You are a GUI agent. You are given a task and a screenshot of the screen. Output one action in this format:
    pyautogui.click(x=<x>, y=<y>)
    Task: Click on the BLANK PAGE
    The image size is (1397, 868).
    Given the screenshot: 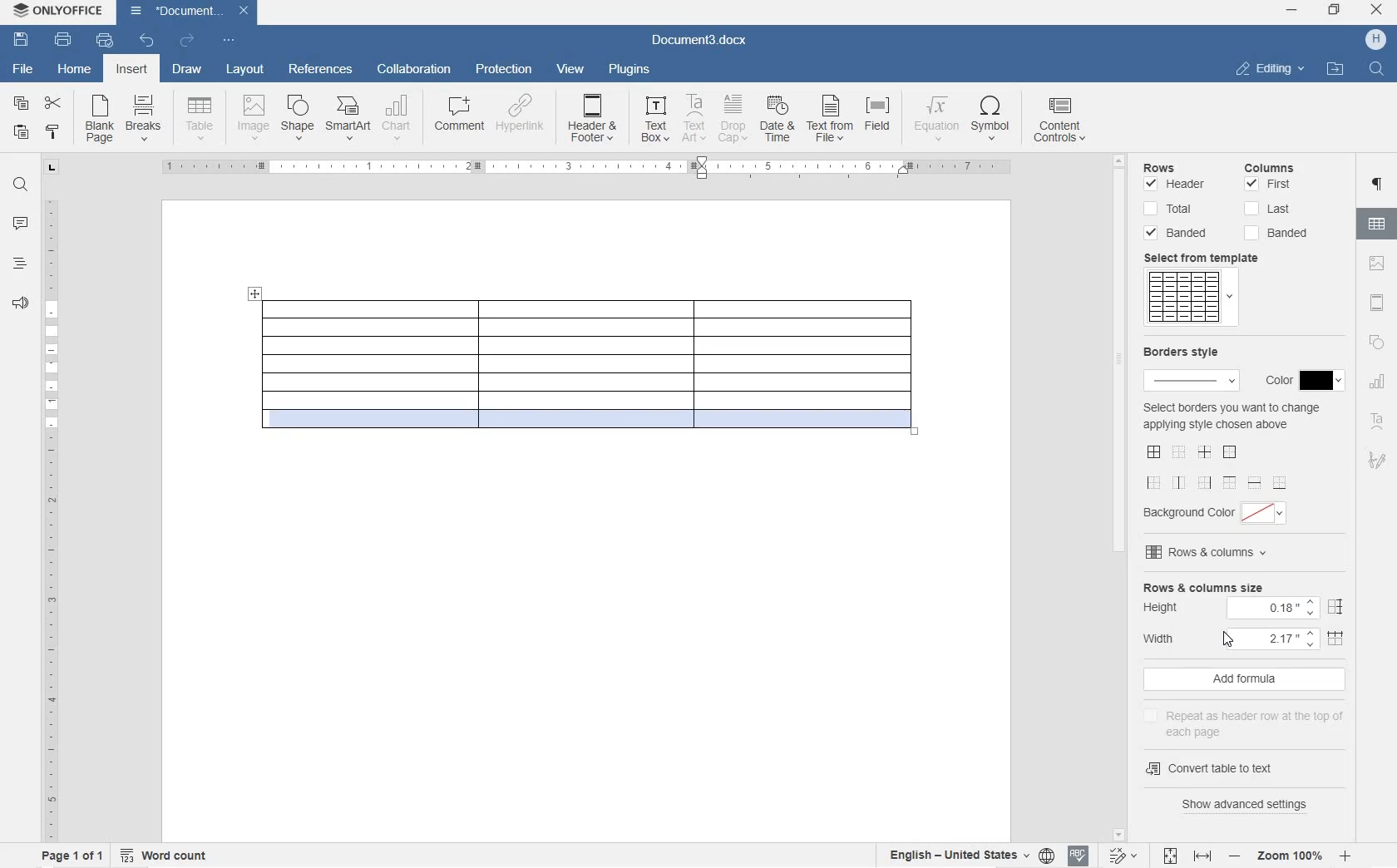 What is the action you would take?
    pyautogui.click(x=101, y=120)
    